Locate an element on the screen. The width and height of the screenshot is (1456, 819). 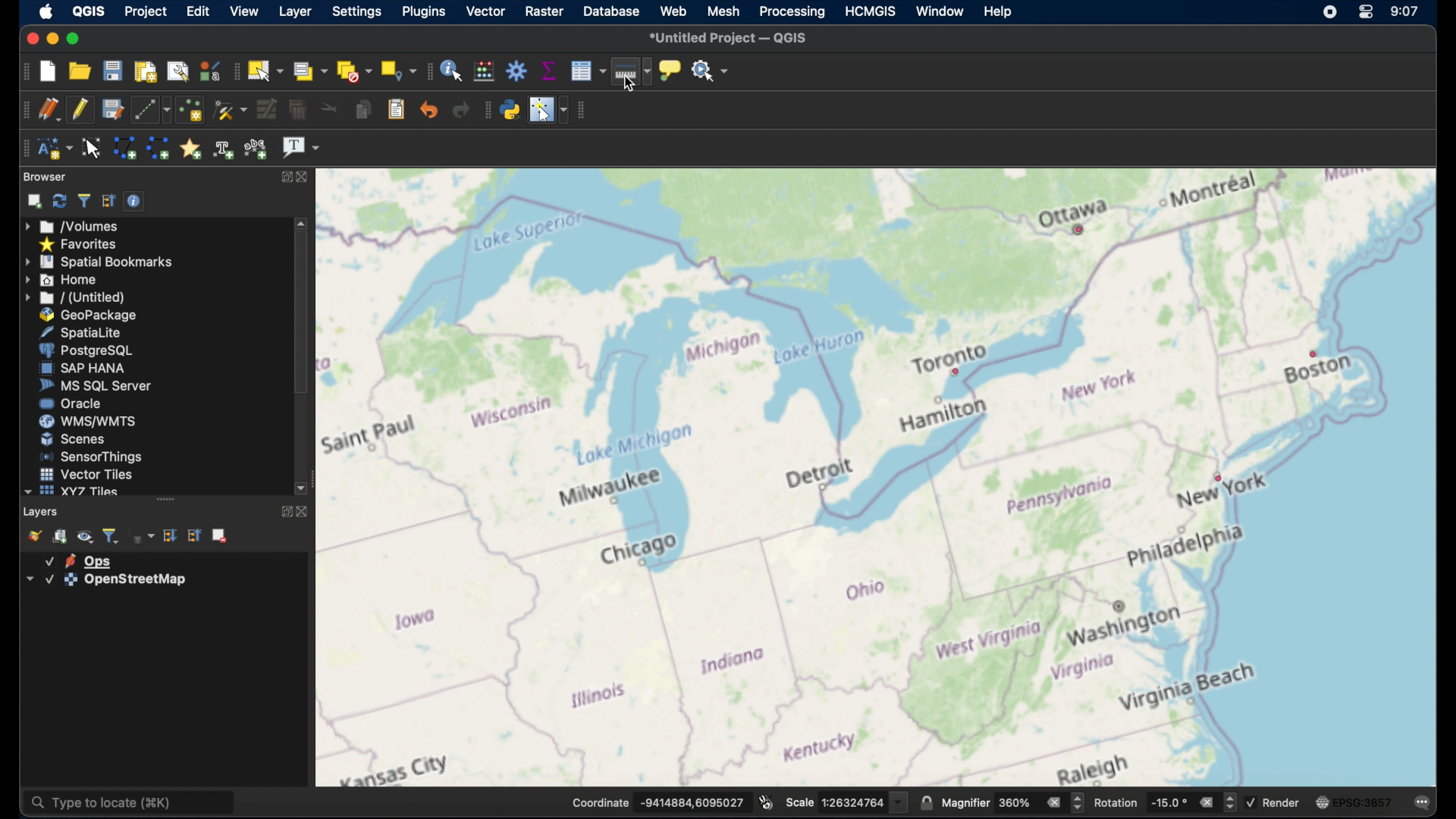
point feature is located at coordinates (1221, 479).